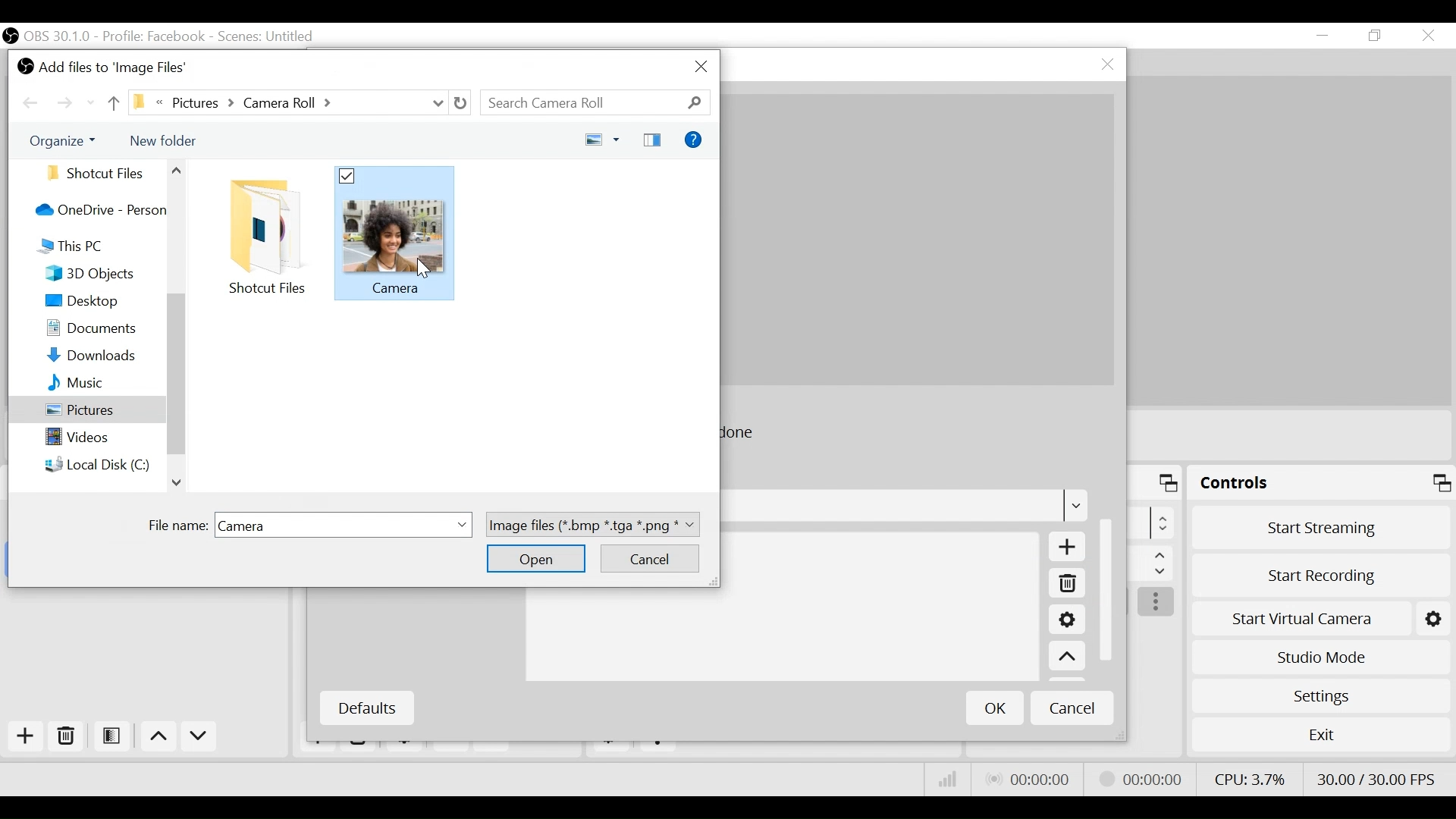 Image resolution: width=1456 pixels, height=819 pixels. I want to click on Organize, so click(69, 143).